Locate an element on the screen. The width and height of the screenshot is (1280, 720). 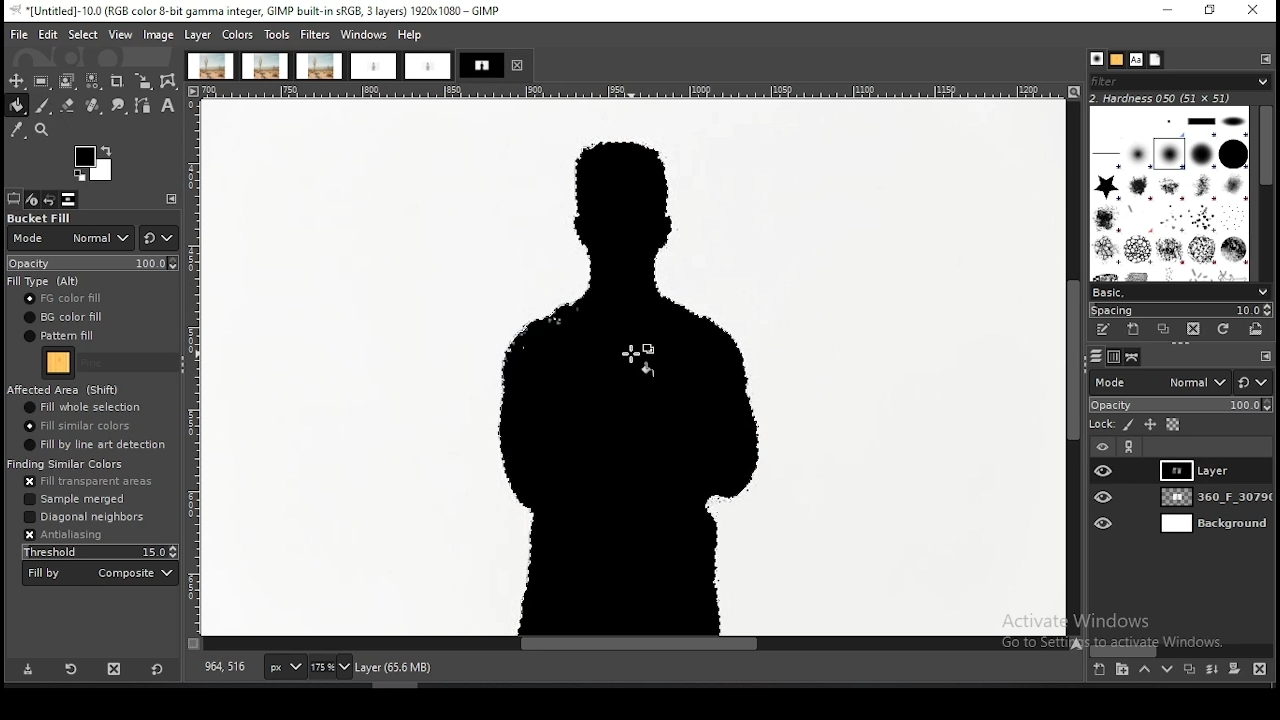
filters is located at coordinates (316, 35).